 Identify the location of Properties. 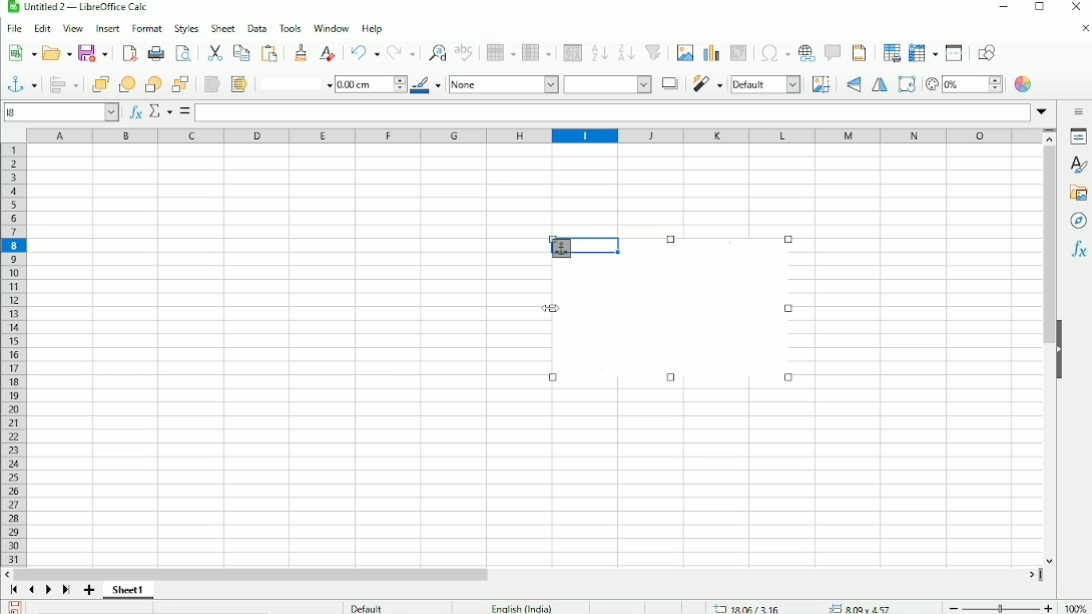
(1078, 137).